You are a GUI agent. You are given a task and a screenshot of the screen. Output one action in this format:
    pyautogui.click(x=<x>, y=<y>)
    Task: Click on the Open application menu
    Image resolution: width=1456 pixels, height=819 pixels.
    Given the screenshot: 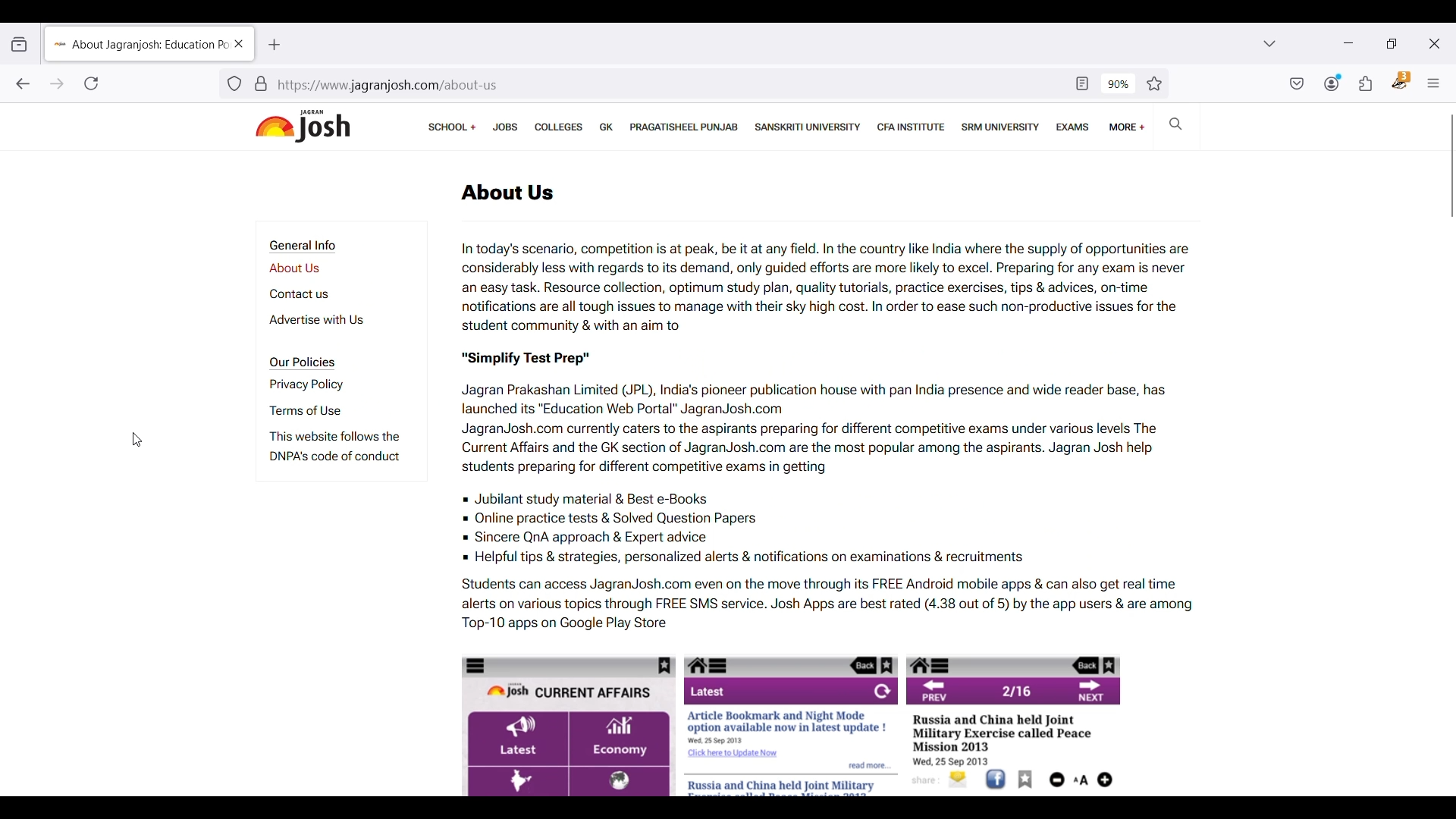 What is the action you would take?
    pyautogui.click(x=1433, y=83)
    